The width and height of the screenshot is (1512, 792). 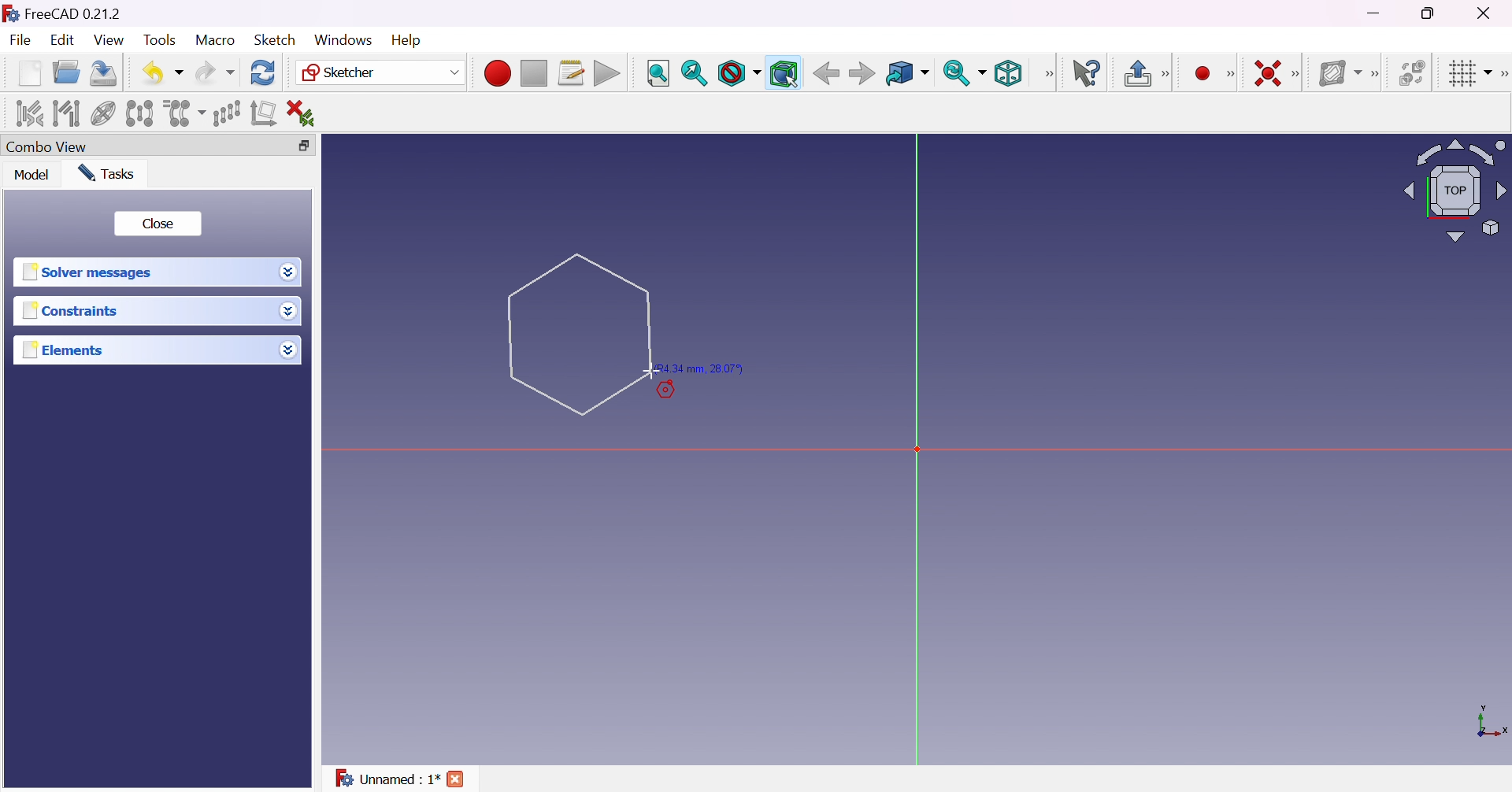 I want to click on What's this?, so click(x=1086, y=72).